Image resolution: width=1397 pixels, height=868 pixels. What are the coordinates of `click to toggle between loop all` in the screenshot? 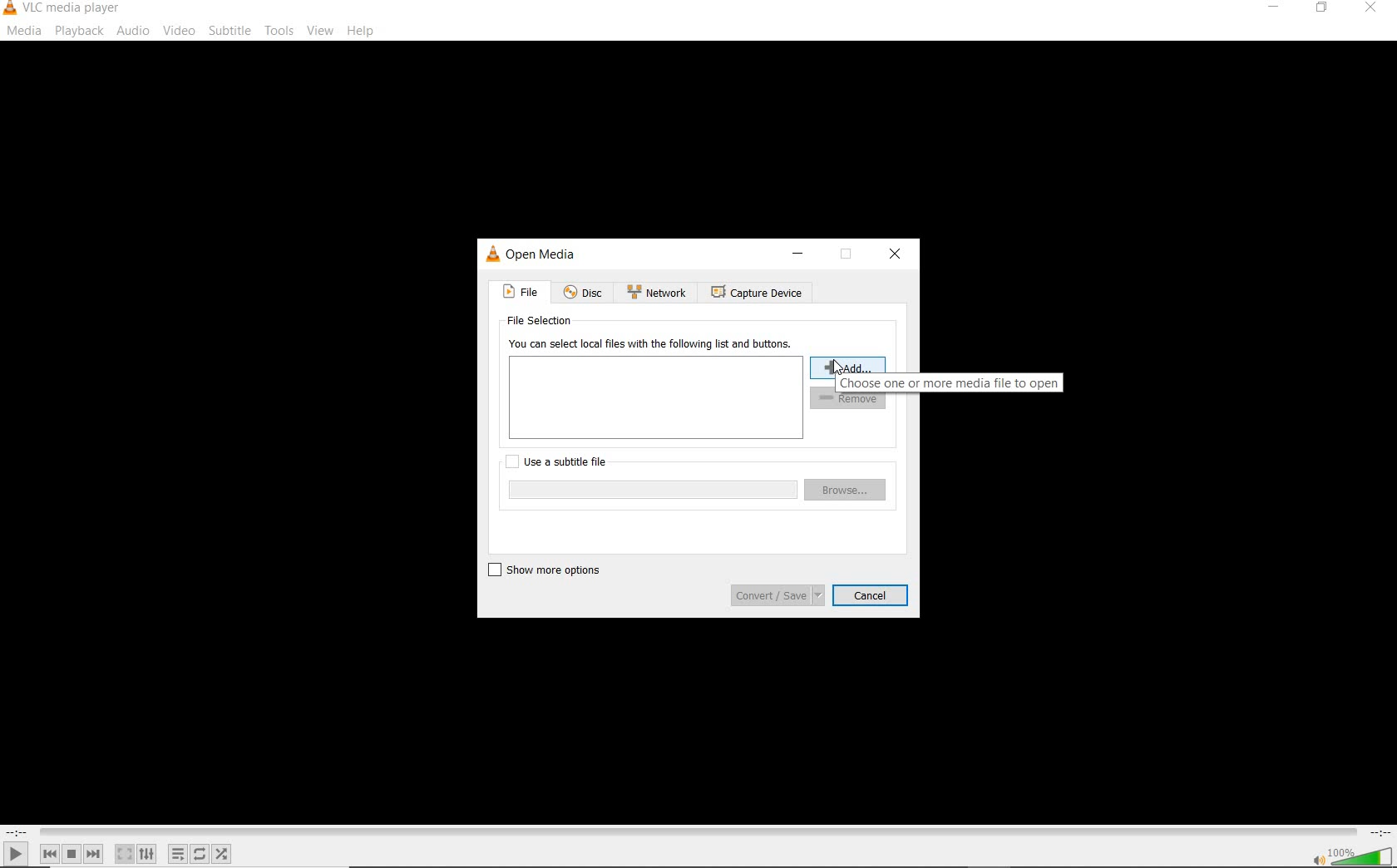 It's located at (200, 853).